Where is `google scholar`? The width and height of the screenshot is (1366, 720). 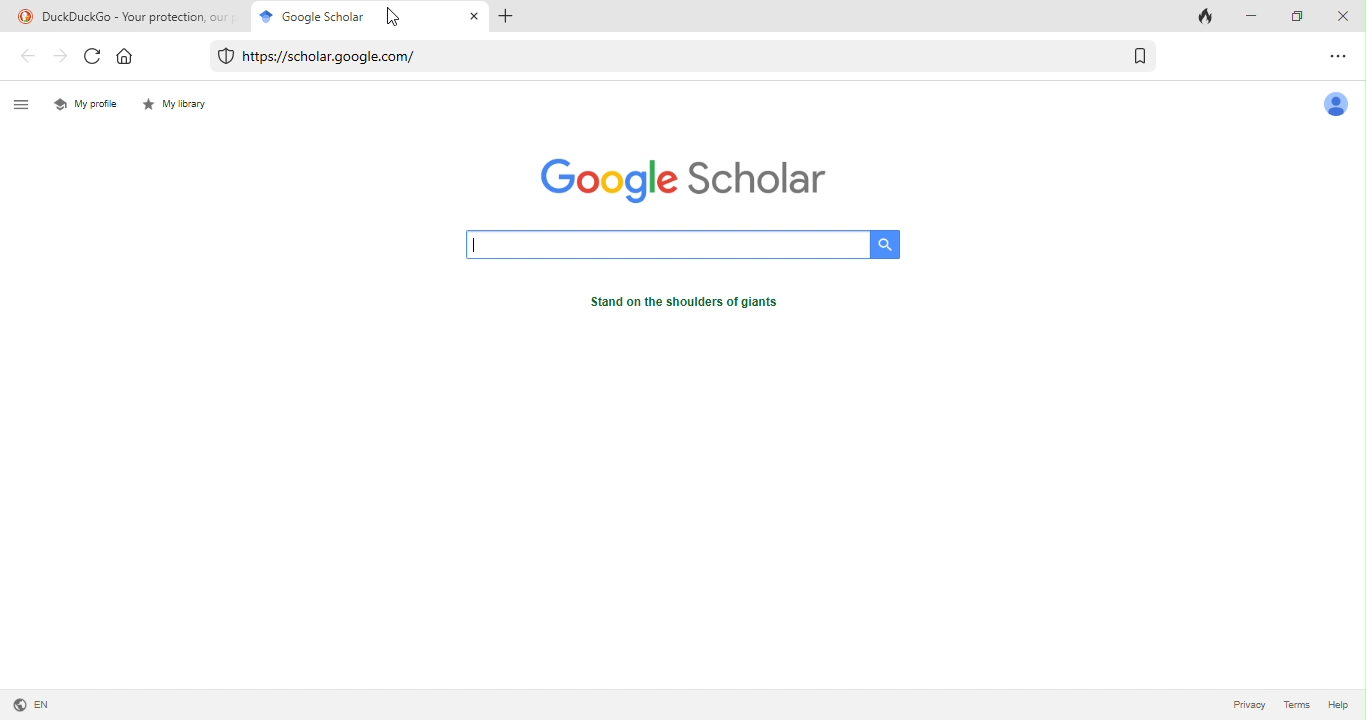
google scholar is located at coordinates (305, 15).